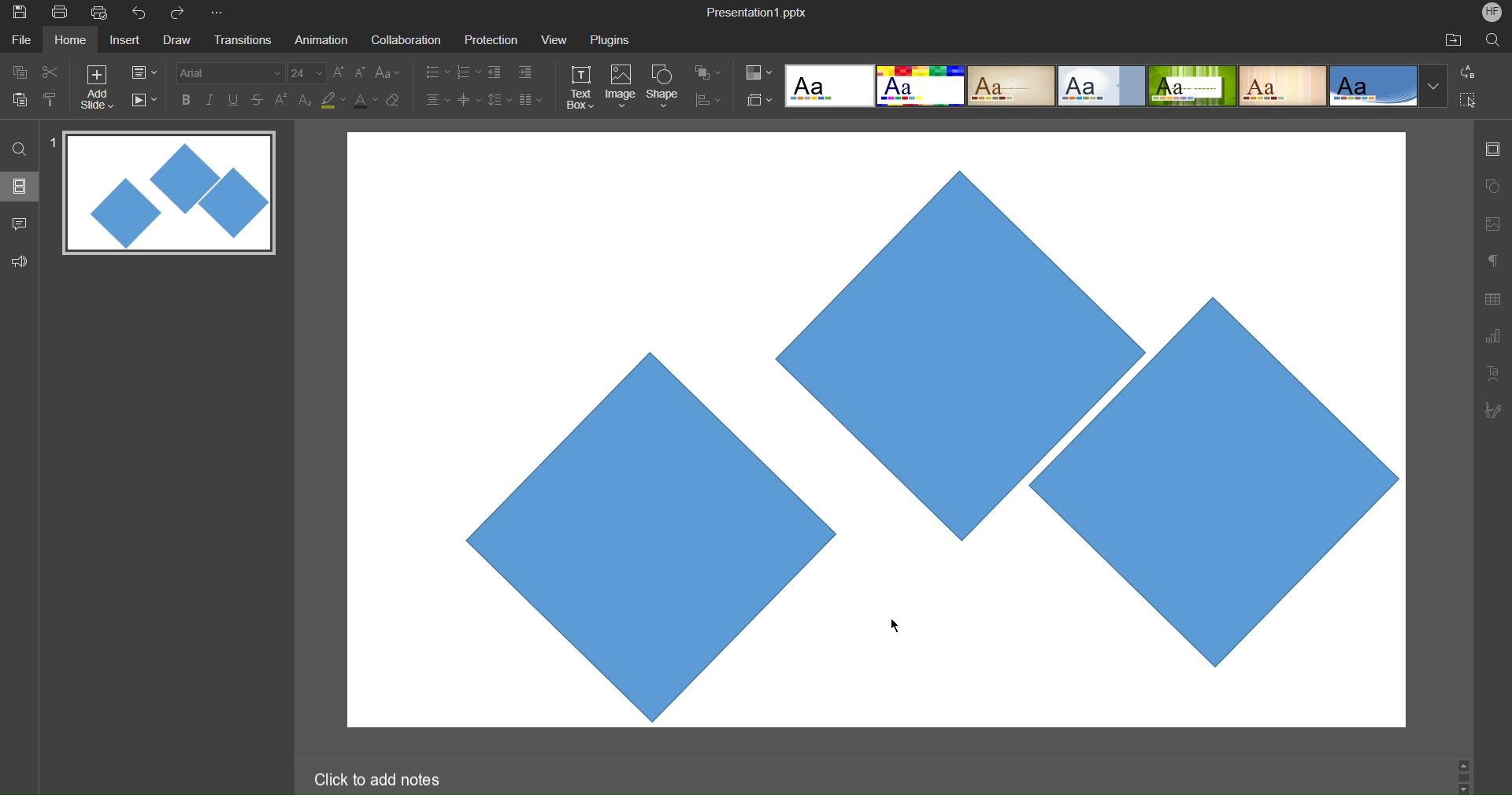 The height and width of the screenshot is (795, 1512). What do you see at coordinates (760, 99) in the screenshot?
I see `Slide Size Settings` at bounding box center [760, 99].